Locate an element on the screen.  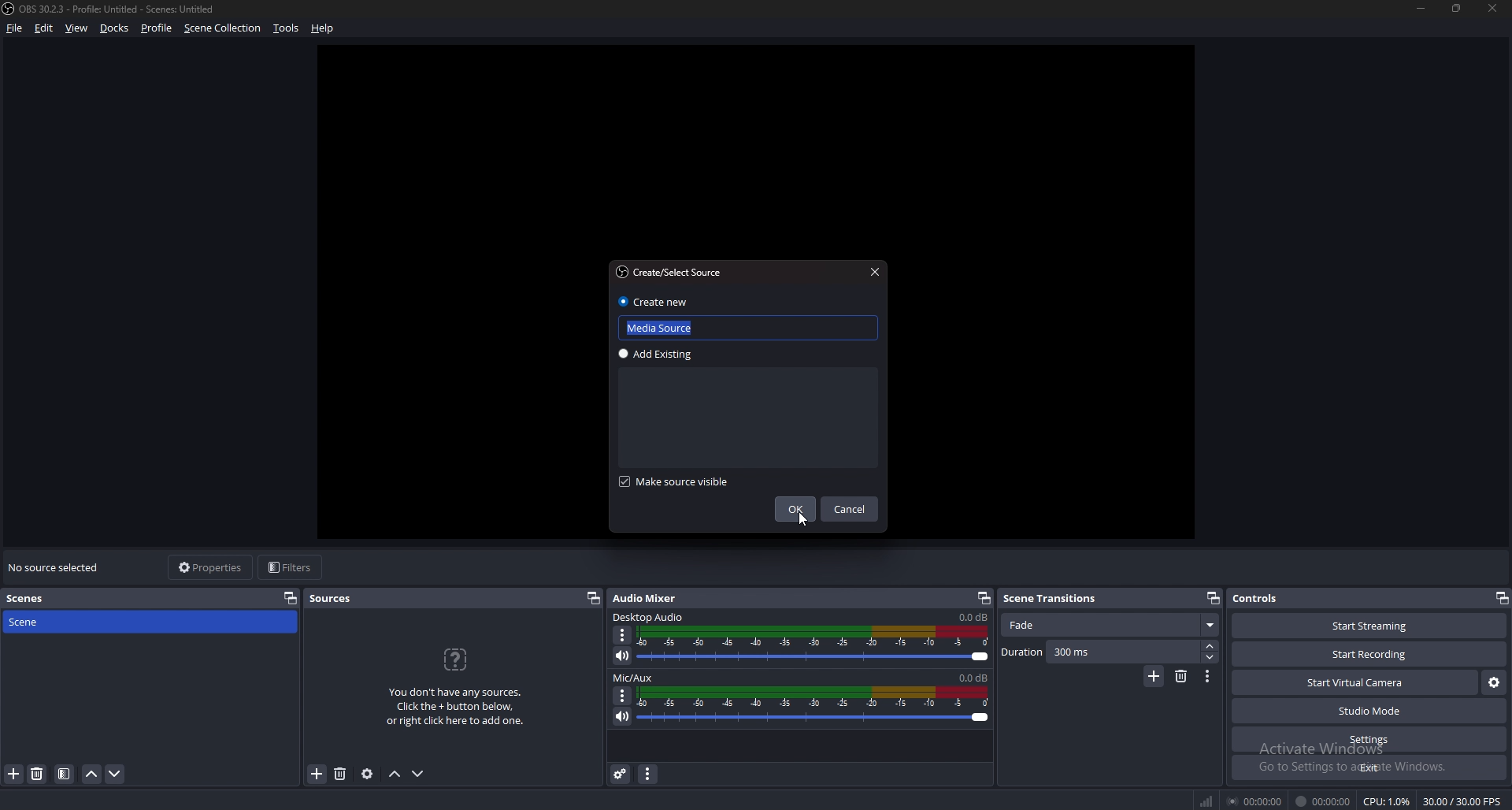
cancel is located at coordinates (851, 511).